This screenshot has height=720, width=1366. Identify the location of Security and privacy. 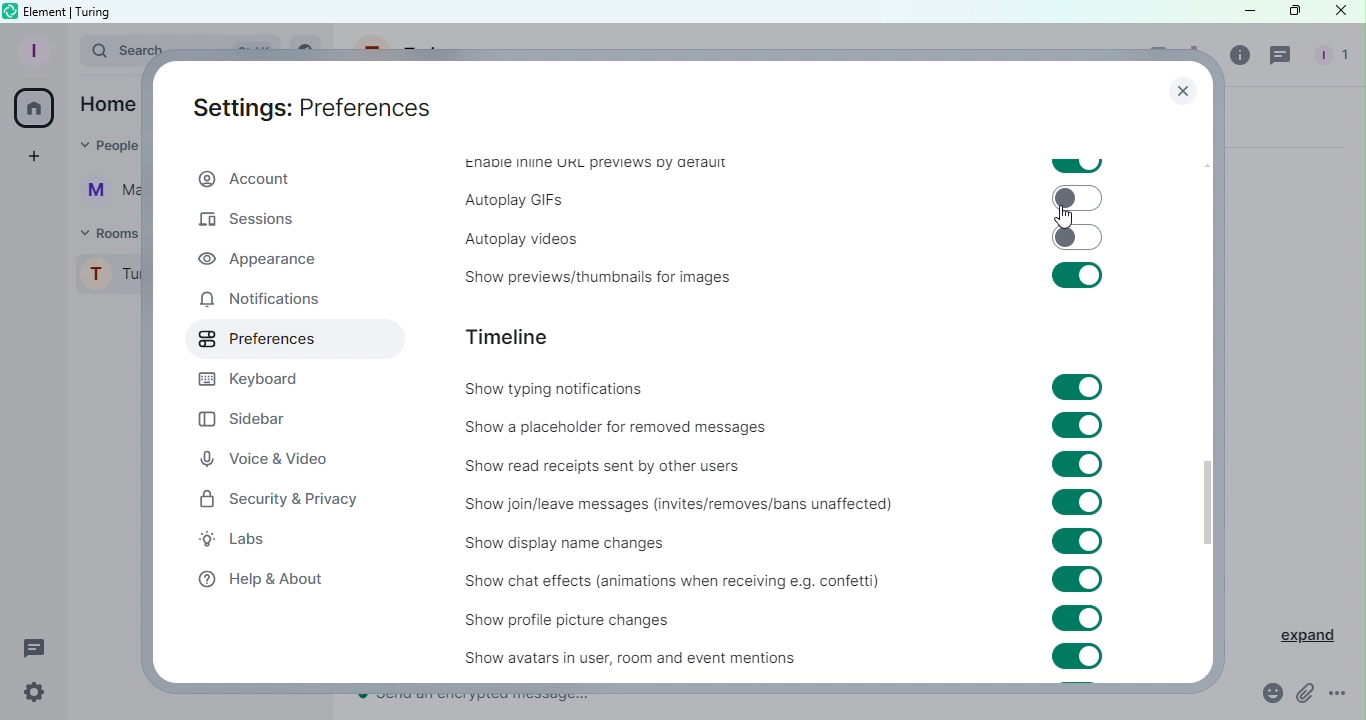
(279, 503).